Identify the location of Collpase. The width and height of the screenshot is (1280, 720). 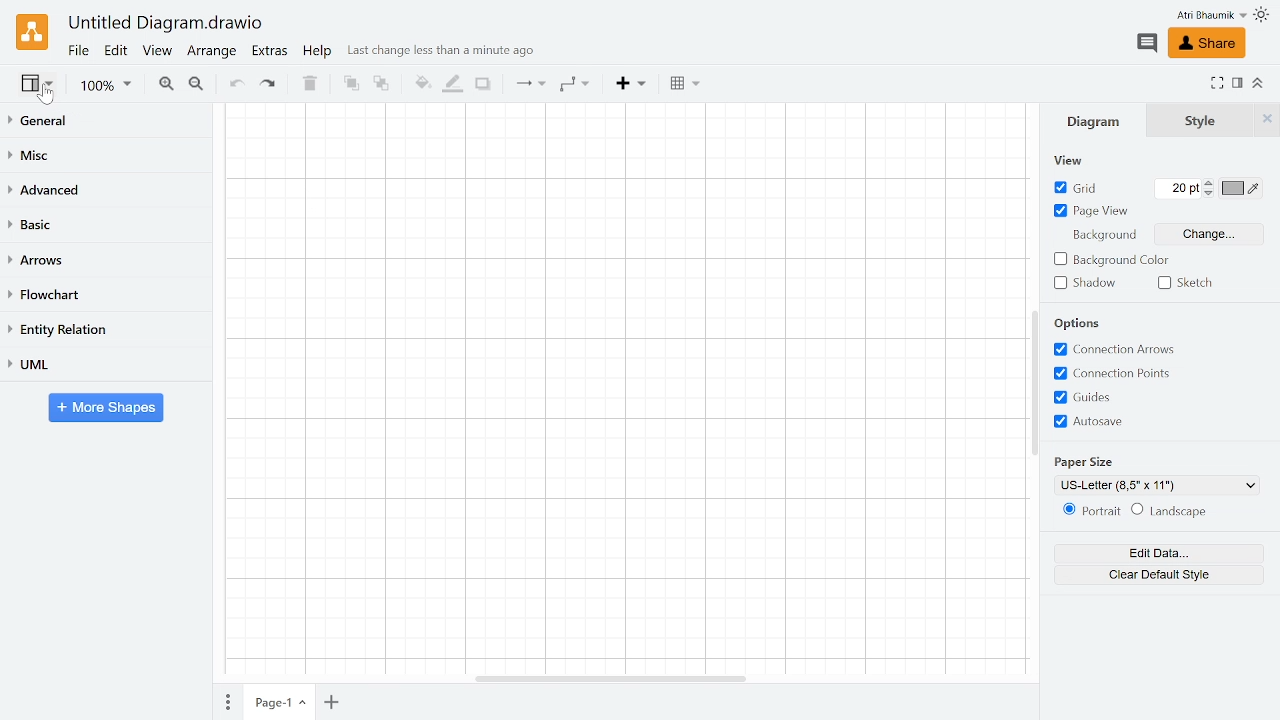
(1256, 85).